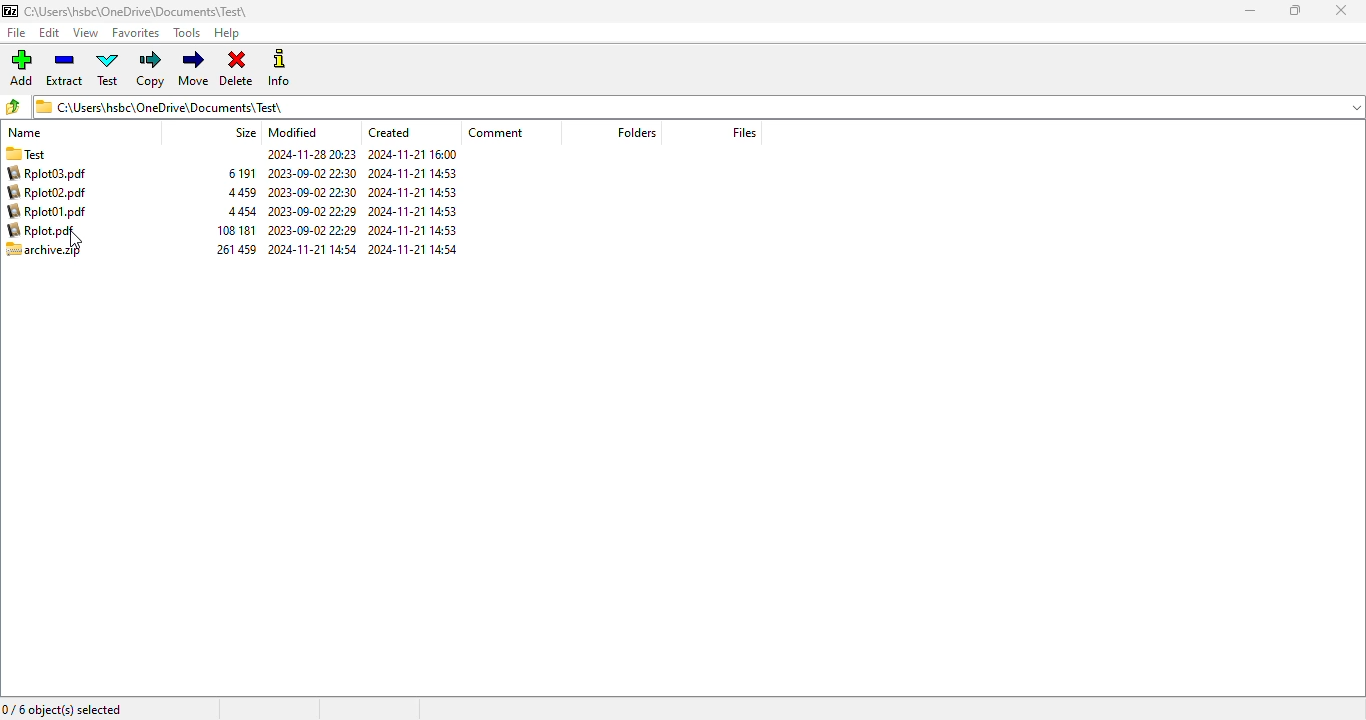 This screenshot has height=720, width=1366. I want to click on close, so click(1343, 11).